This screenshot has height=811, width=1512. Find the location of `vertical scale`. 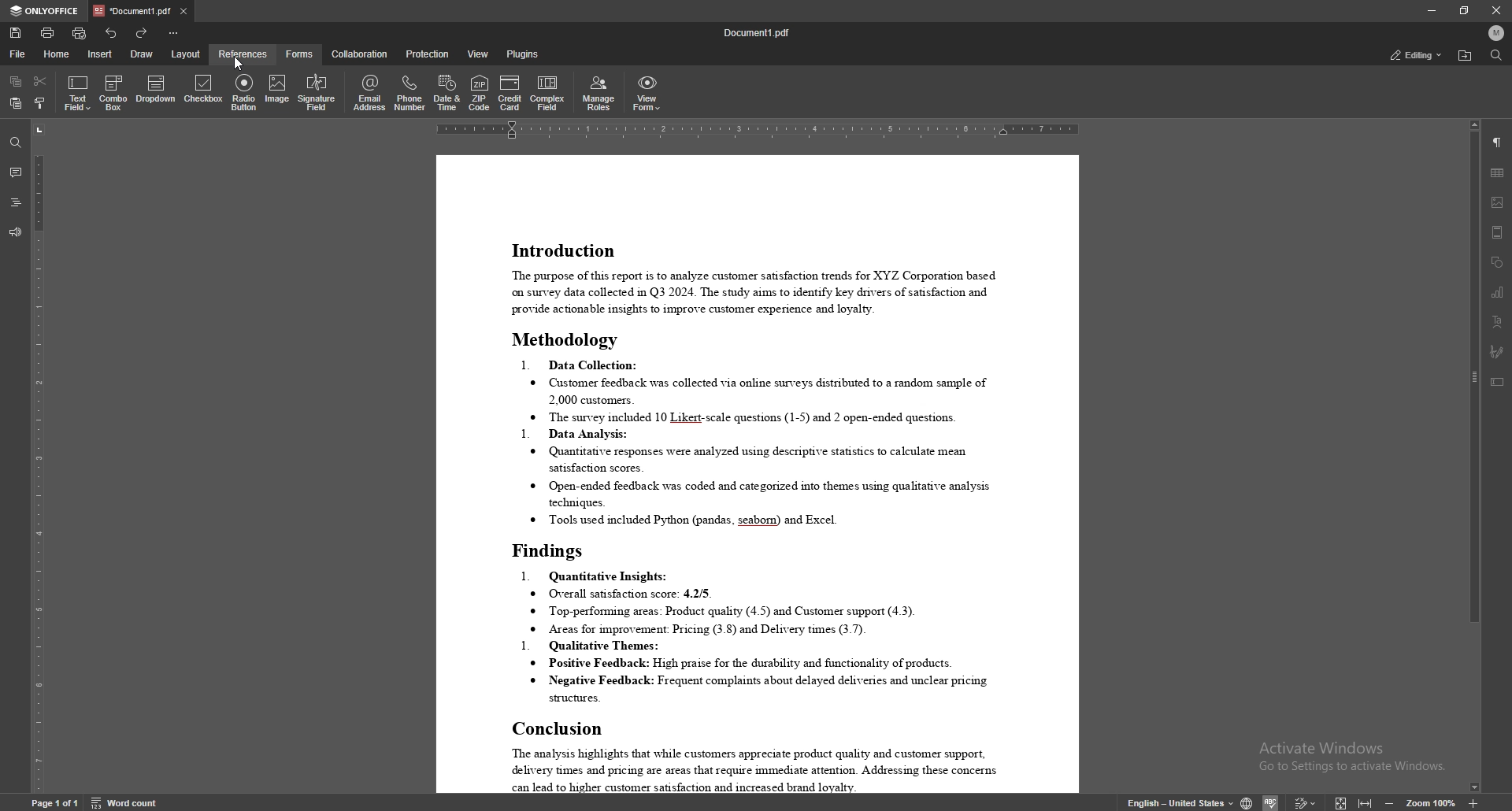

vertical scale is located at coordinates (35, 457).